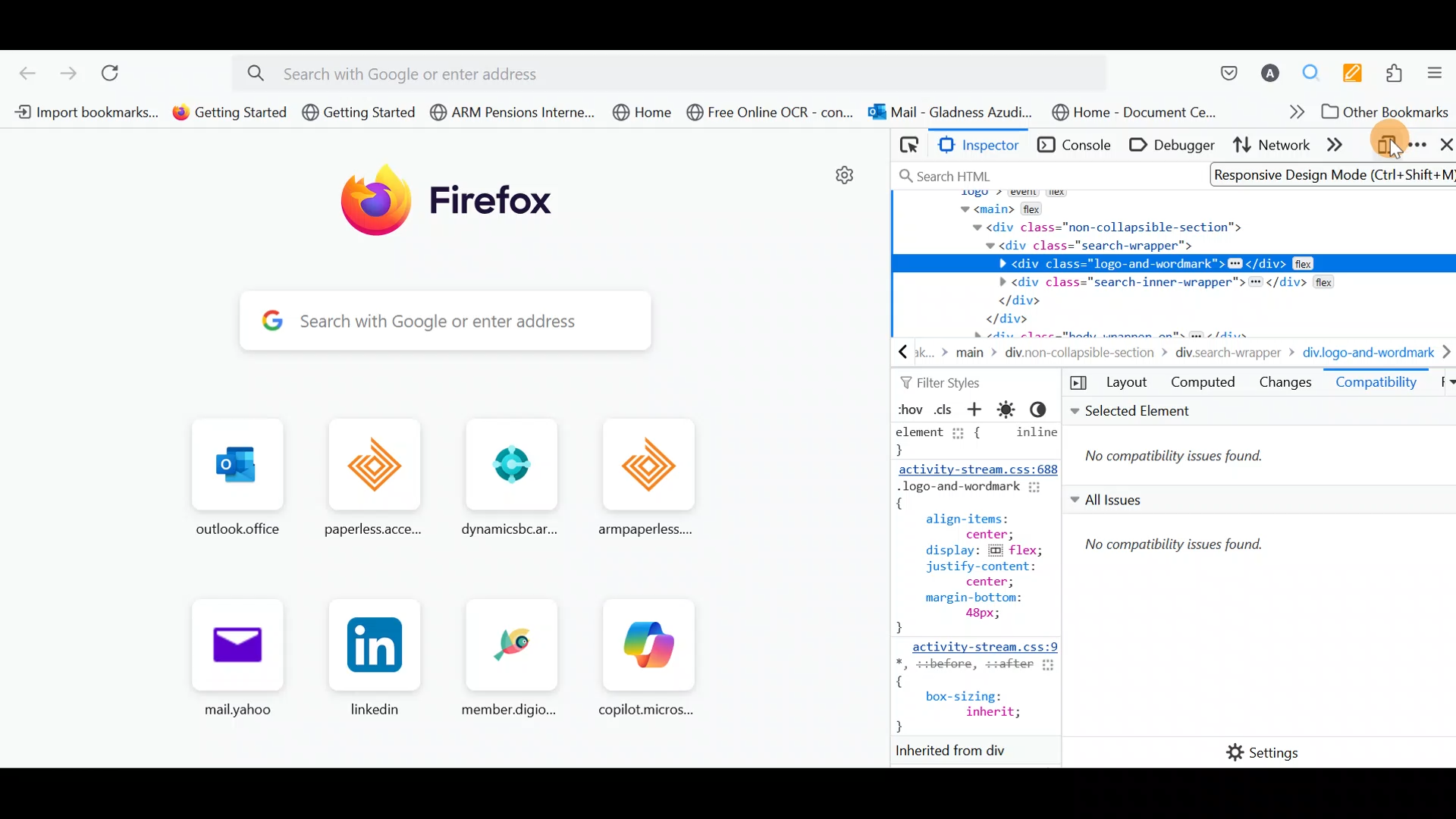 Image resolution: width=1456 pixels, height=819 pixels. I want to click on Multi keywords highlighter, so click(1352, 70).